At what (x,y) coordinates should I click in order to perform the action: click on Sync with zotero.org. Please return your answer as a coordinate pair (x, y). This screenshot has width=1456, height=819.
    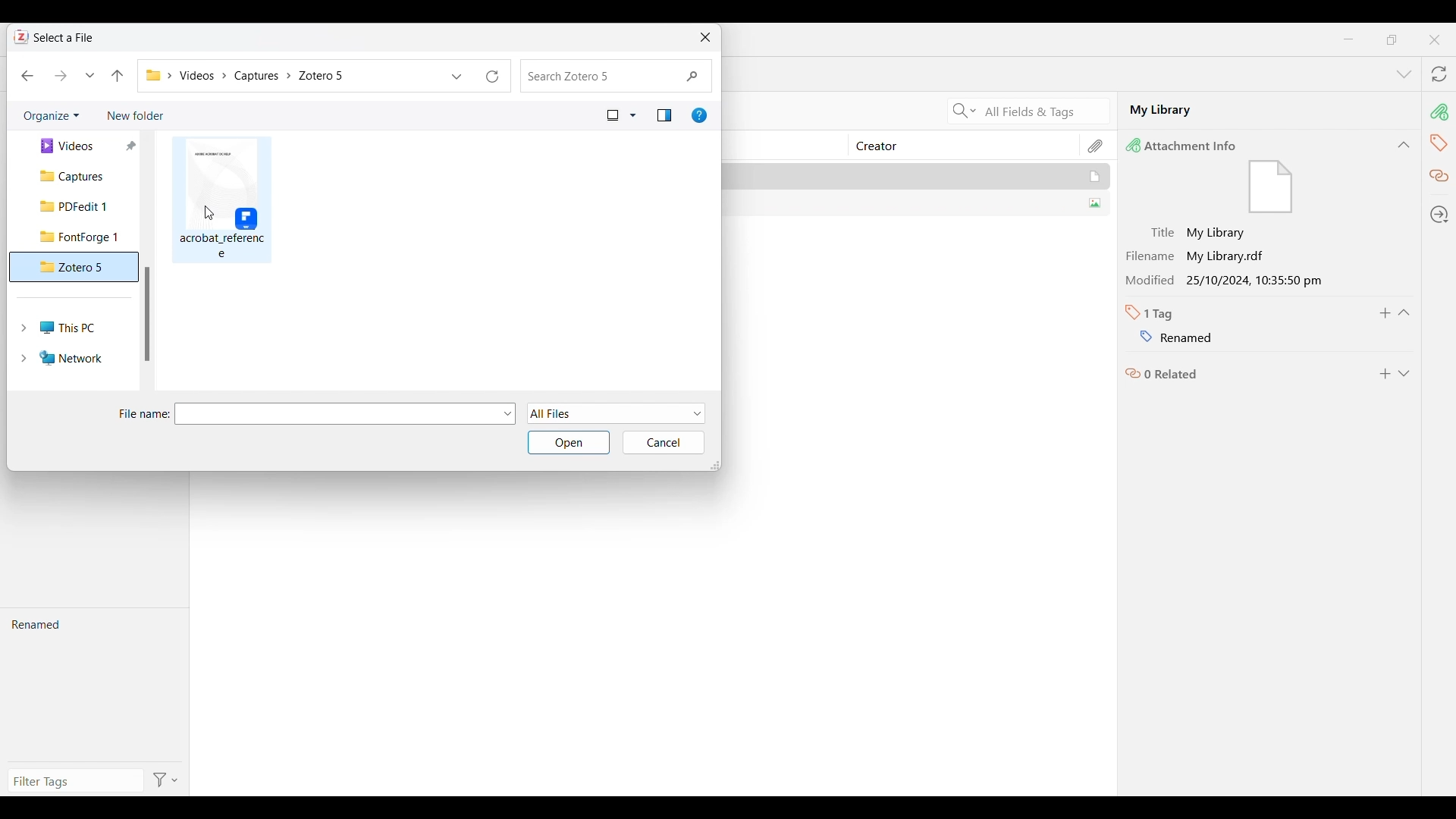
    Looking at the image, I should click on (1439, 74).